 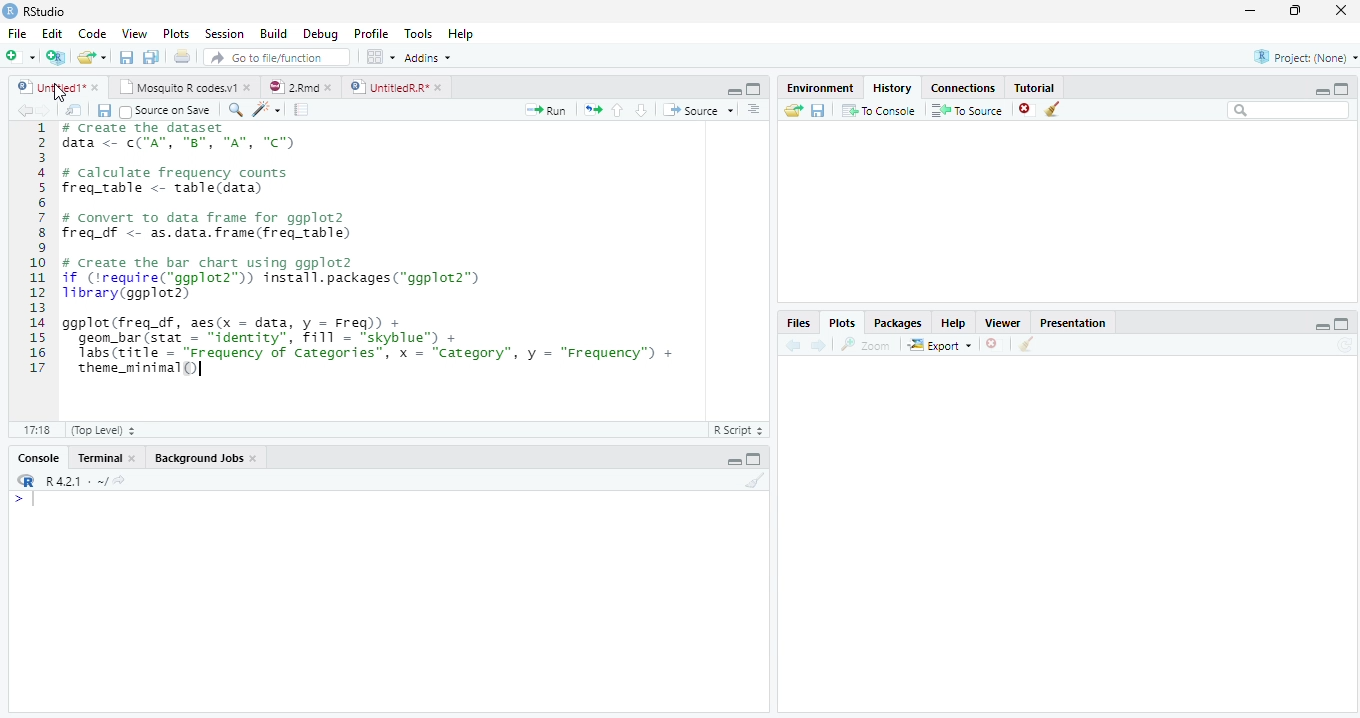 I want to click on Open an existing file, so click(x=93, y=58).